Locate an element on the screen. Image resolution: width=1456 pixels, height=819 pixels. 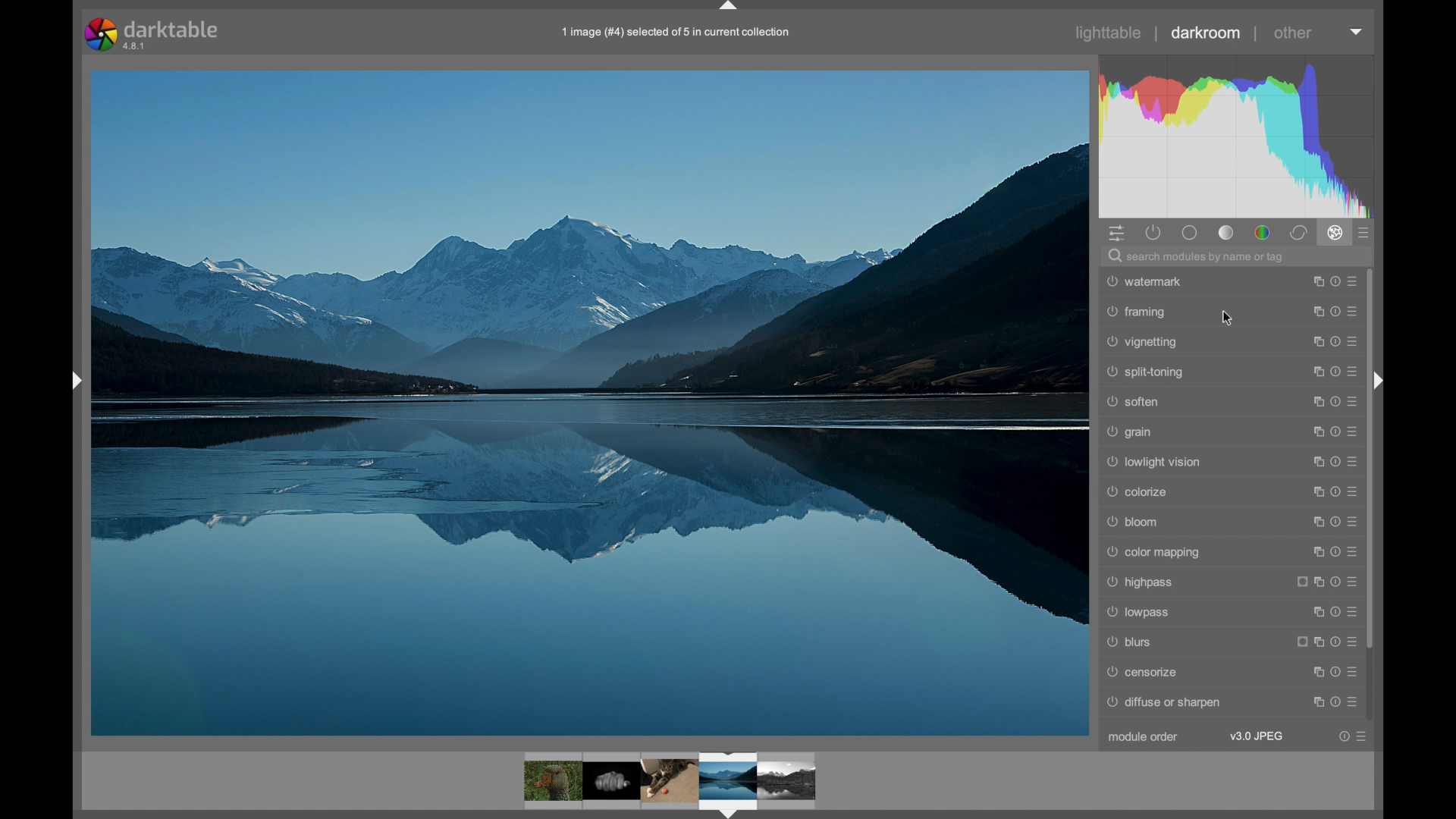
more options is located at coordinates (1335, 340).